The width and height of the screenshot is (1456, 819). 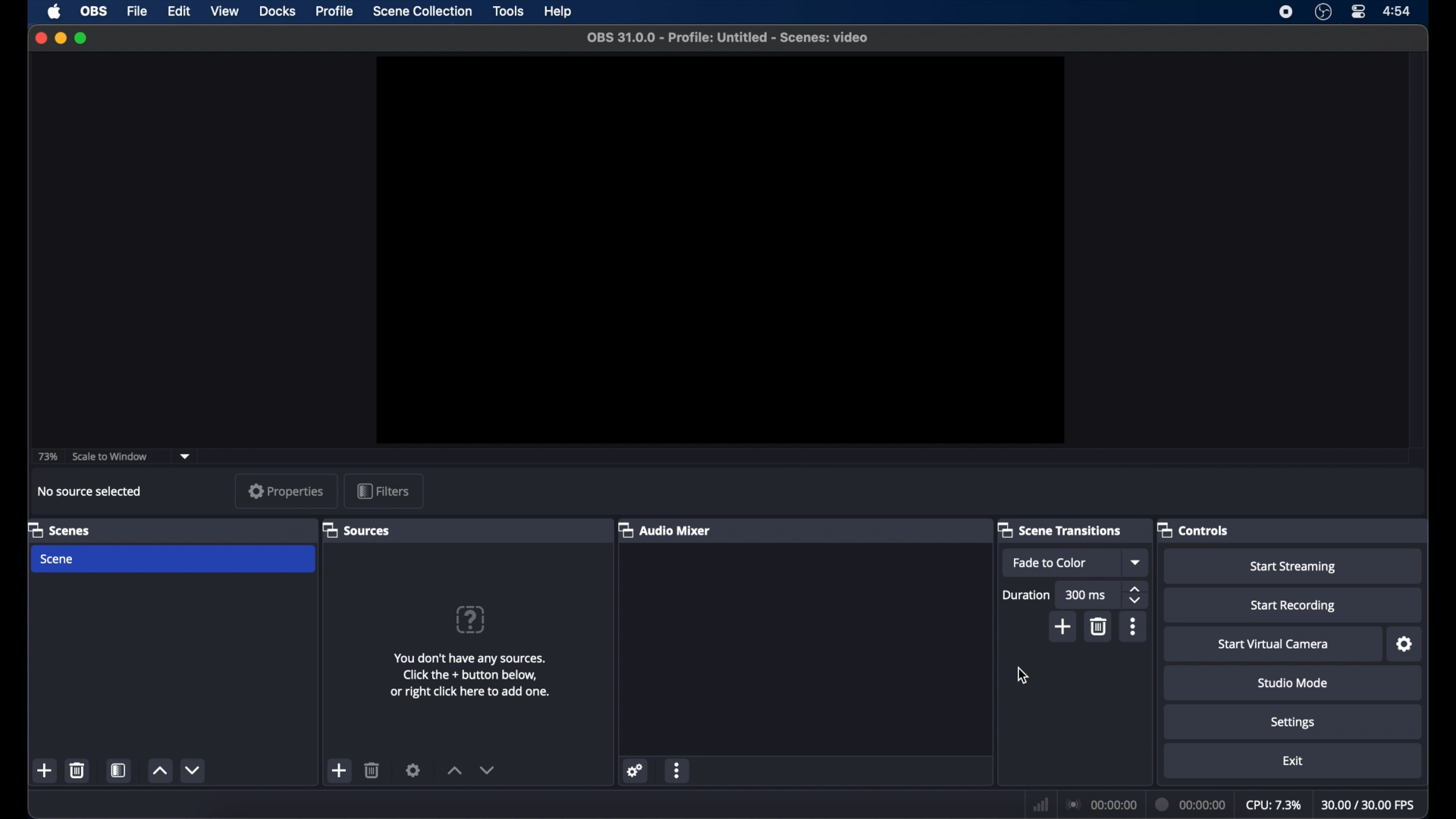 I want to click on decrement, so click(x=487, y=770).